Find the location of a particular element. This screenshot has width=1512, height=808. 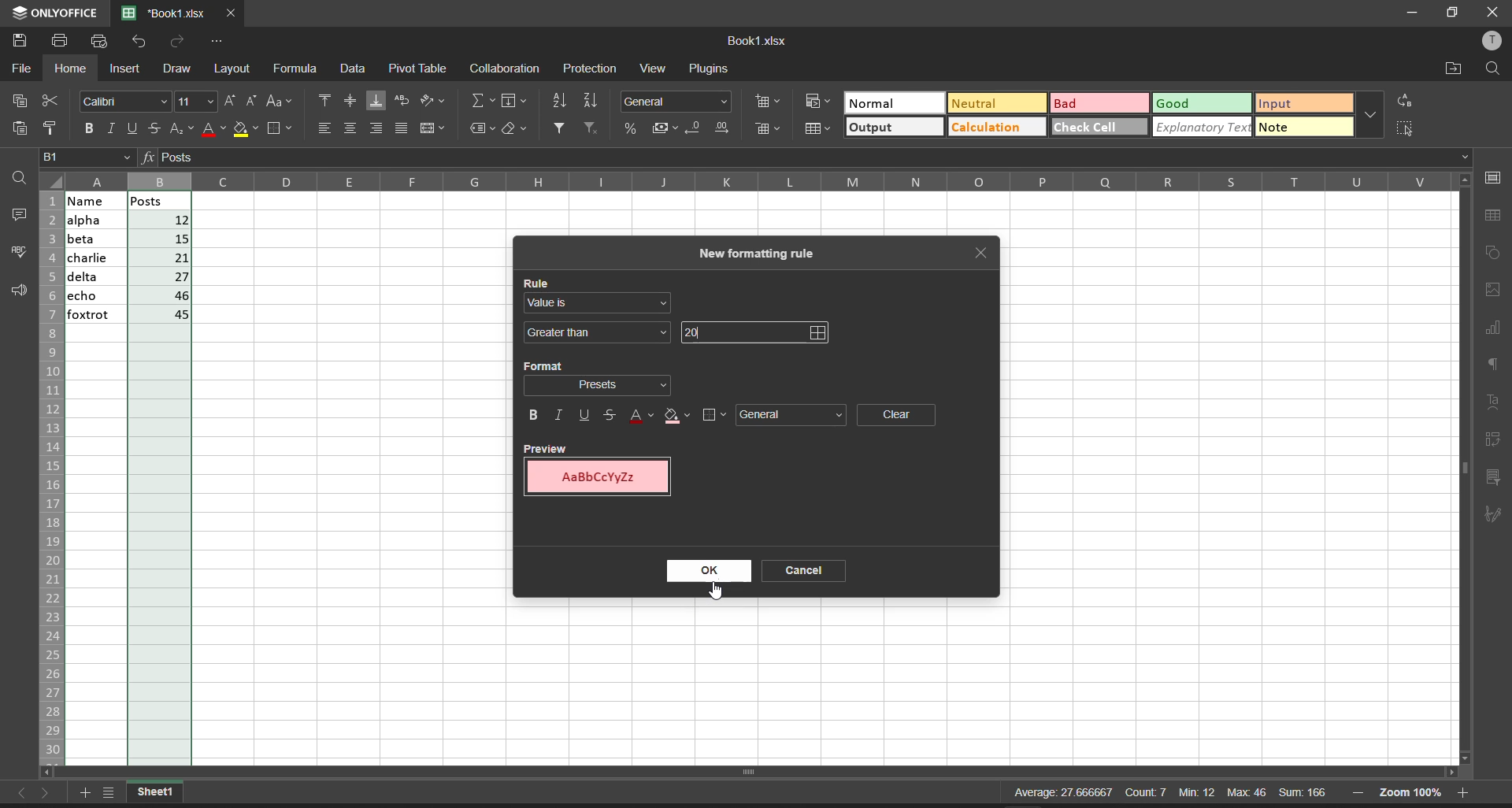

general is located at coordinates (794, 414).